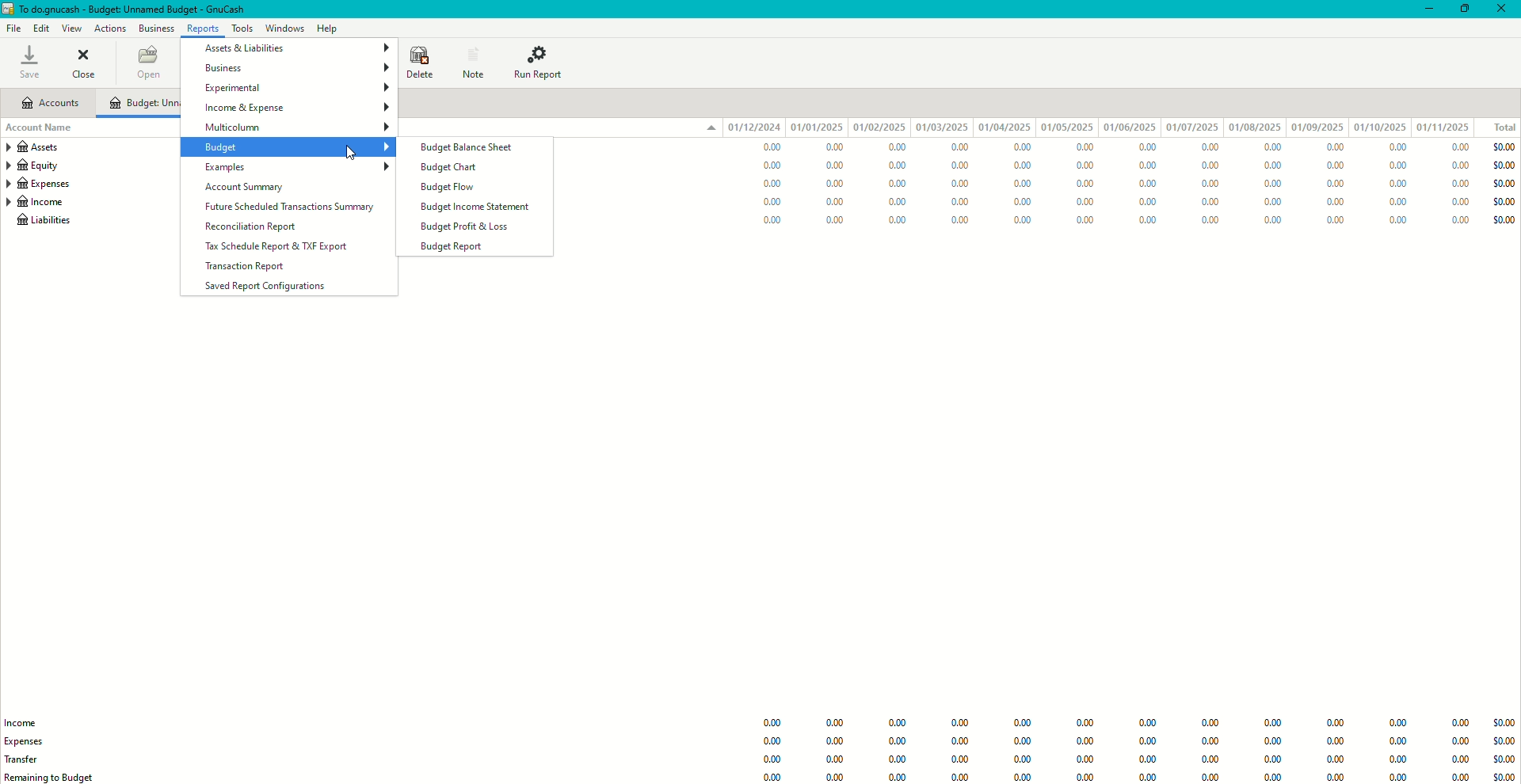  I want to click on 0.00, so click(1334, 777).